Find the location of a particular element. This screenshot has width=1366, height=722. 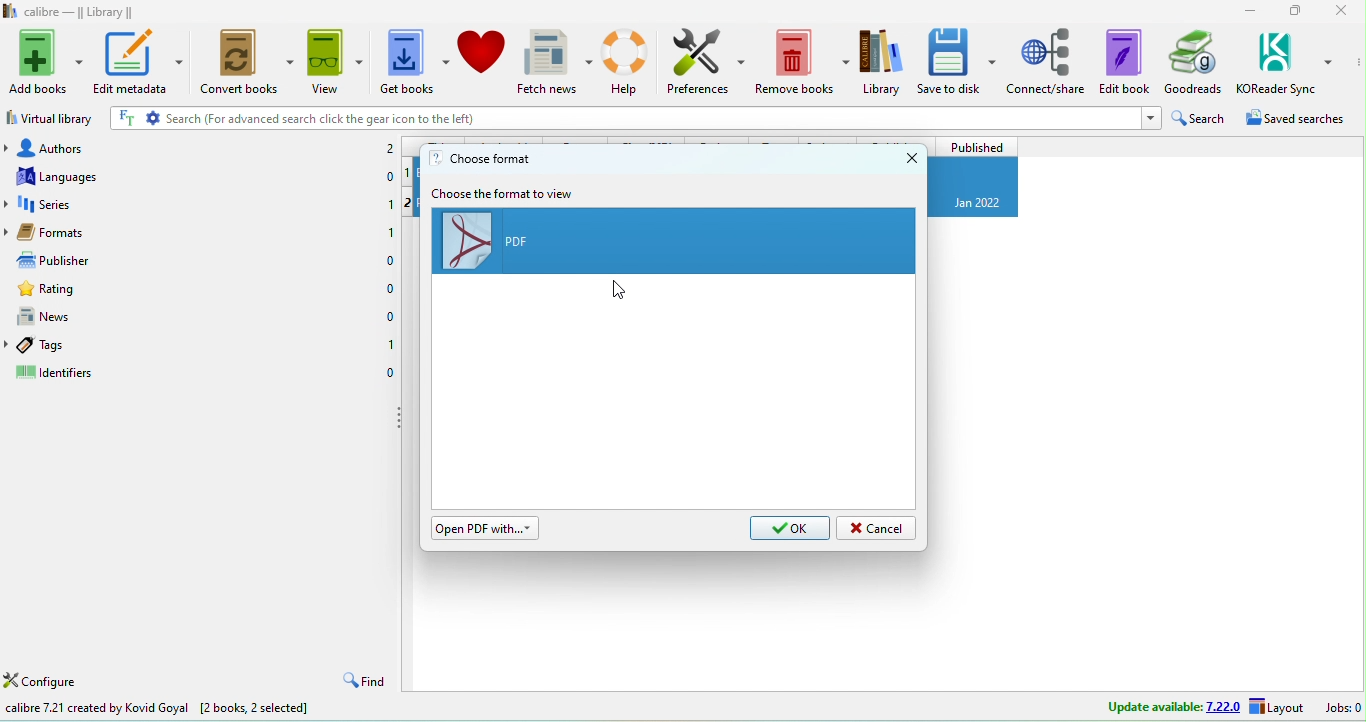

update available 7.22.0 is located at coordinates (1174, 705).